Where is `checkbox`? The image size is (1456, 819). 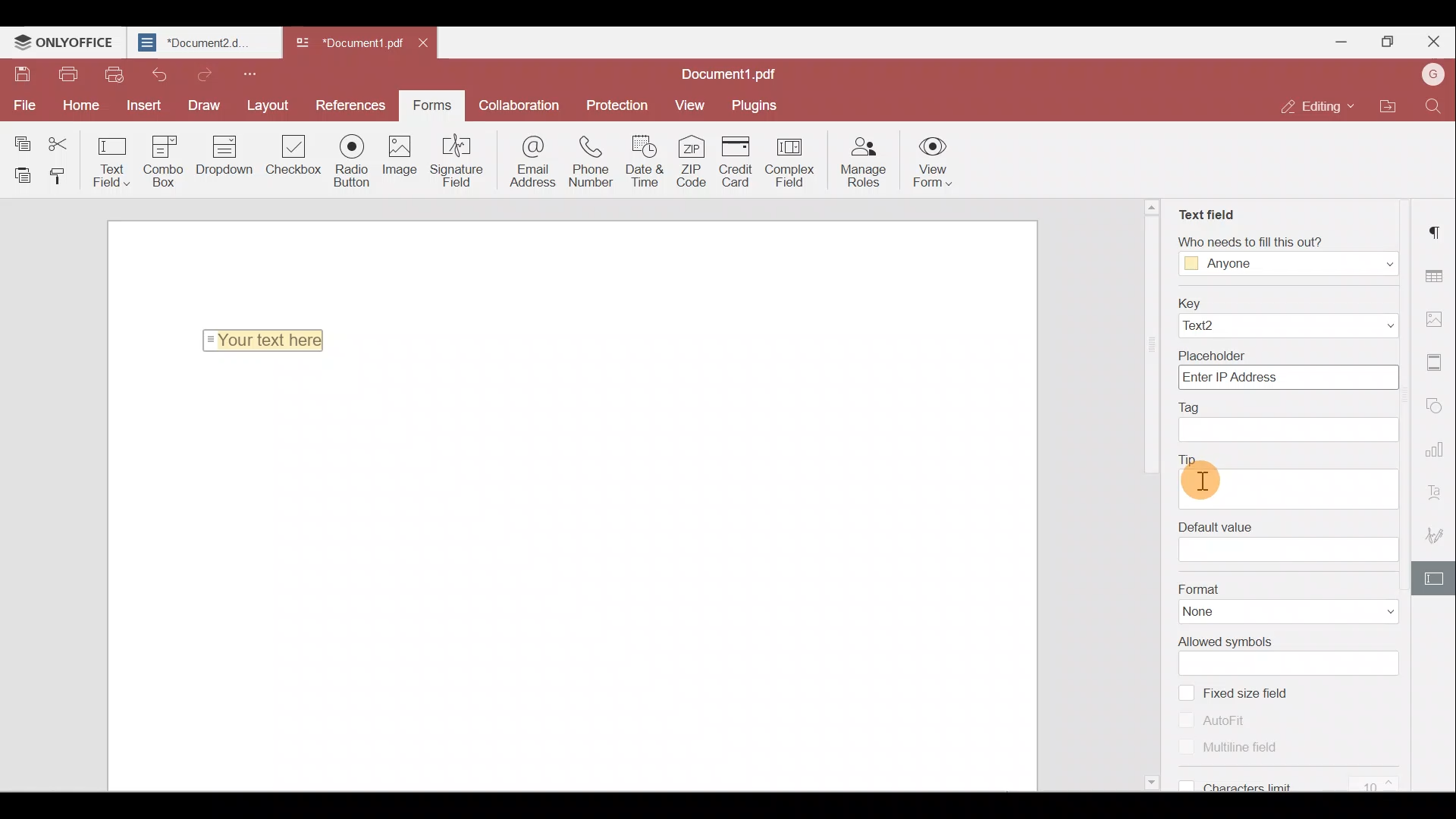 checkbox is located at coordinates (1185, 692).